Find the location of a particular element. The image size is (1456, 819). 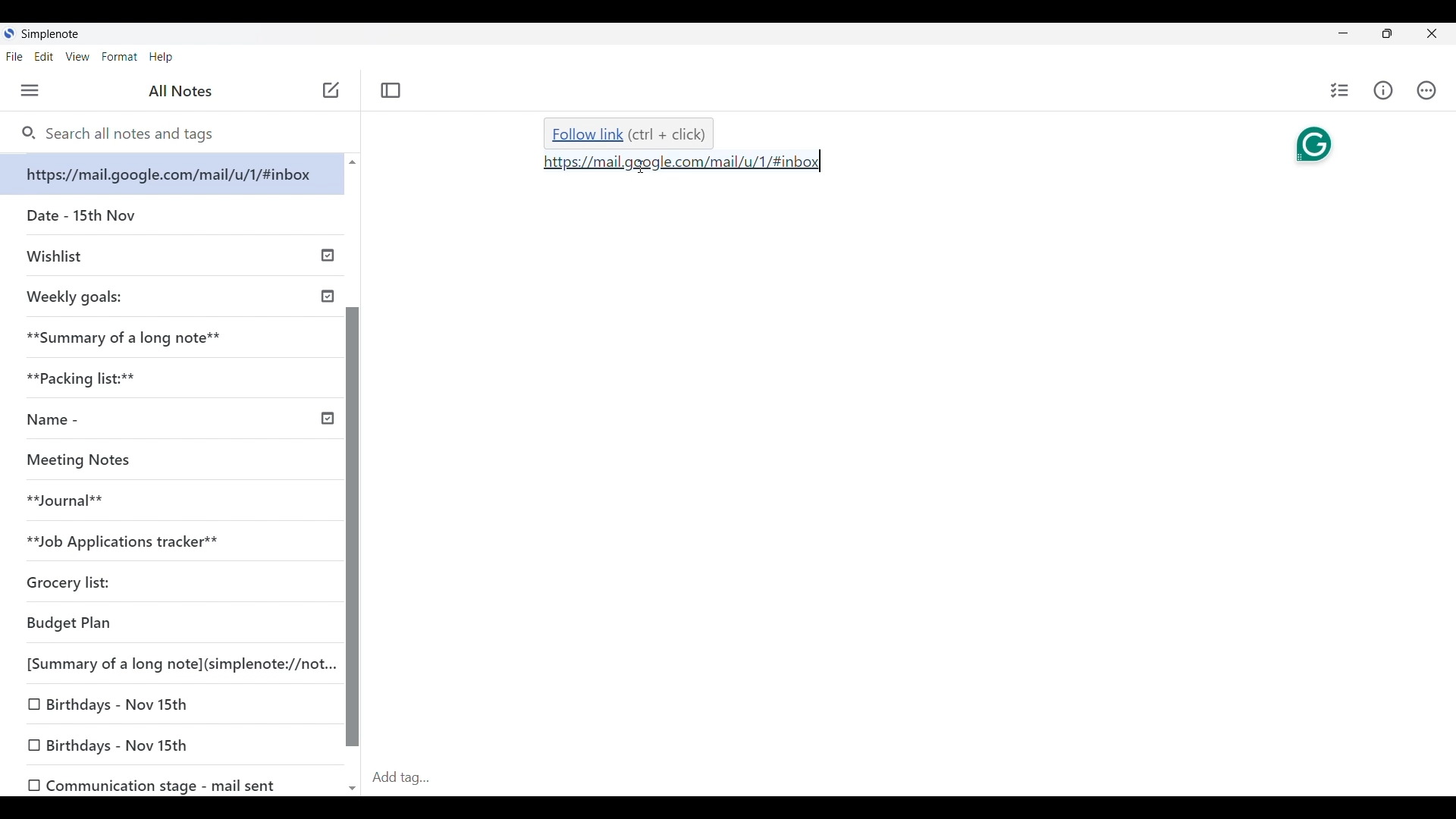

Software logo is located at coordinates (9, 33).